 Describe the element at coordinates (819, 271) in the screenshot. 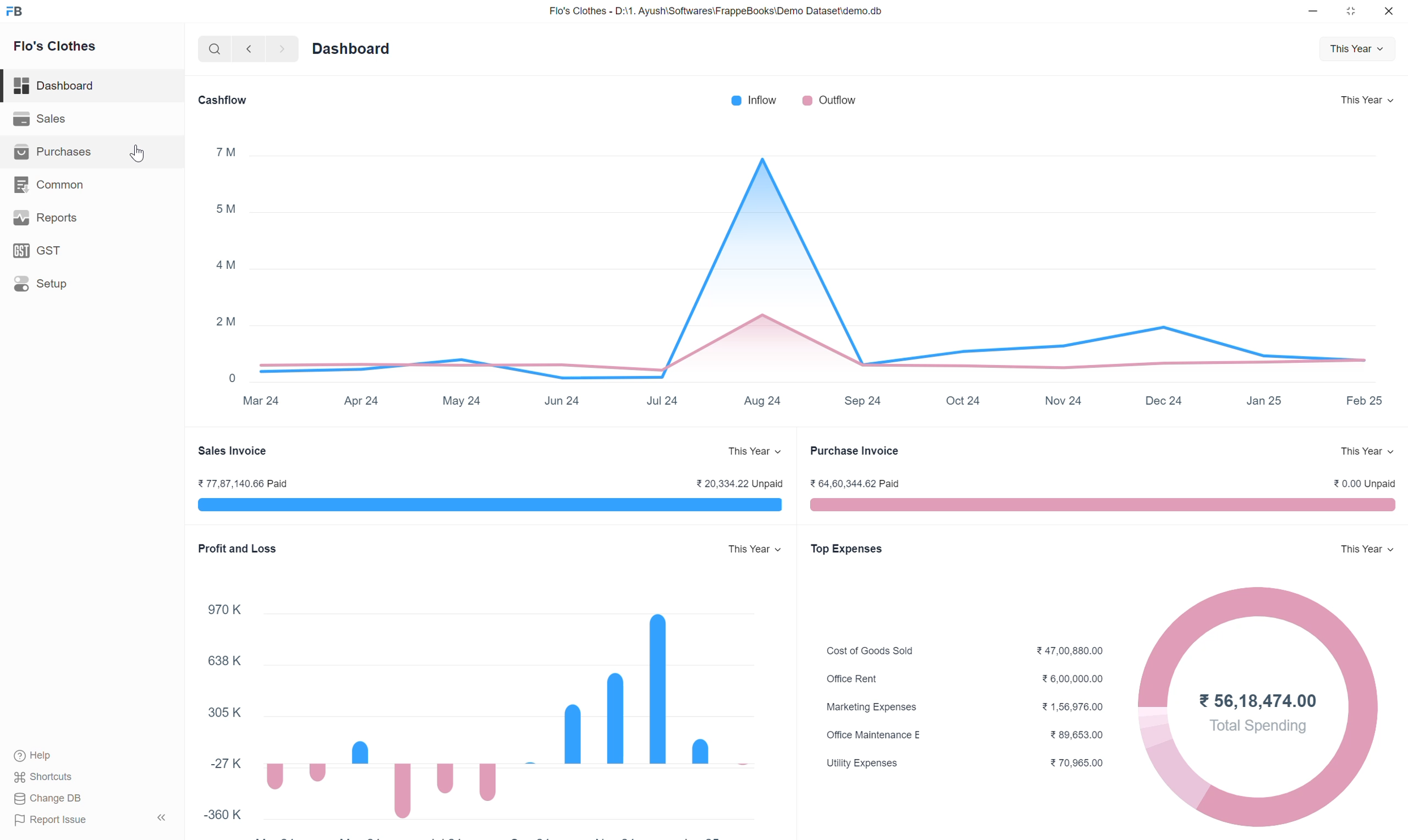

I see `graph` at that location.